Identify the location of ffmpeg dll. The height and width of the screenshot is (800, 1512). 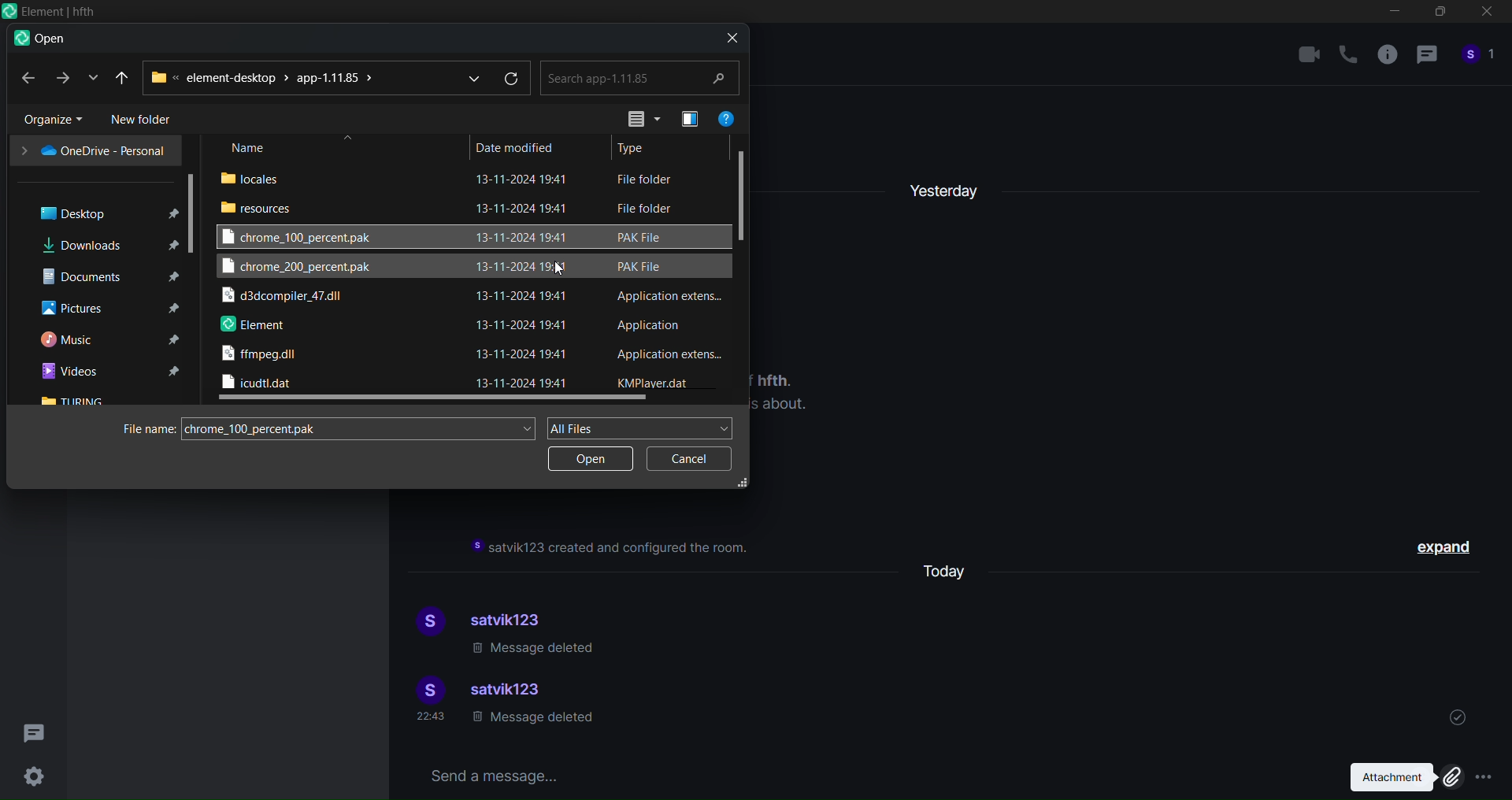
(262, 357).